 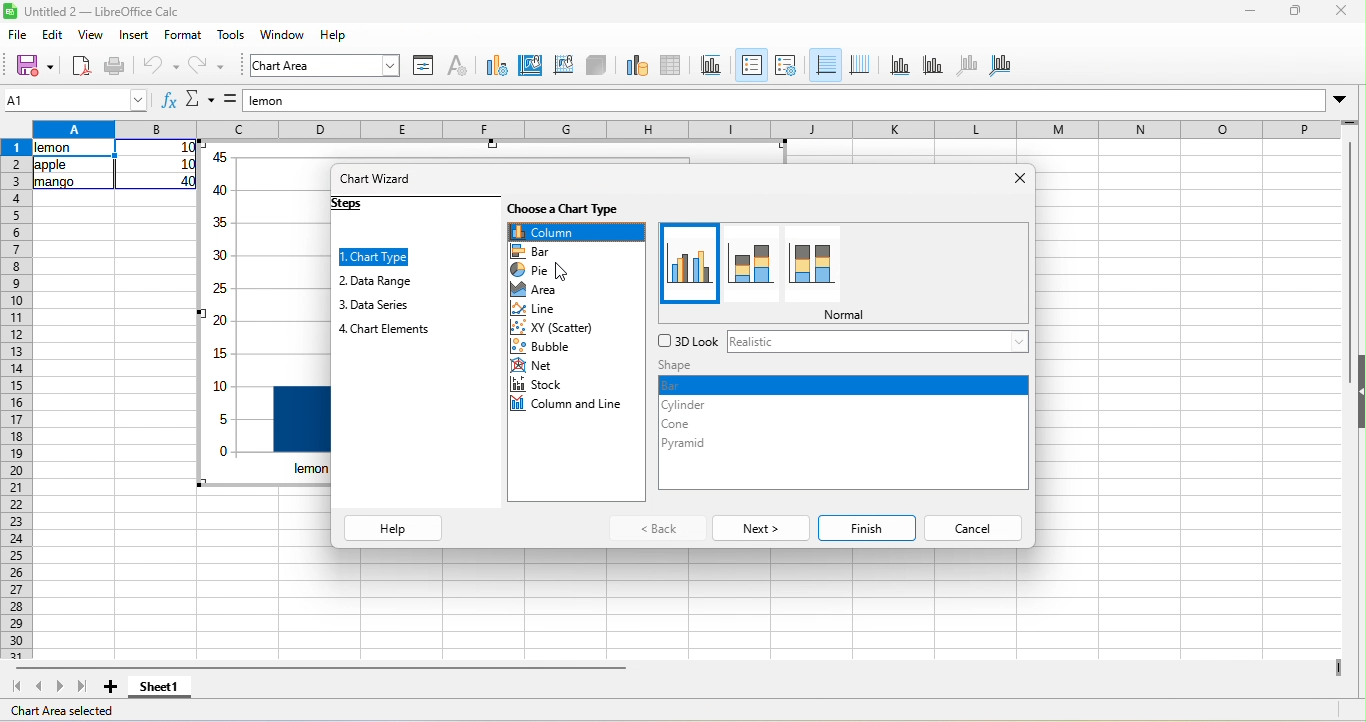 What do you see at coordinates (376, 306) in the screenshot?
I see `data series` at bounding box center [376, 306].